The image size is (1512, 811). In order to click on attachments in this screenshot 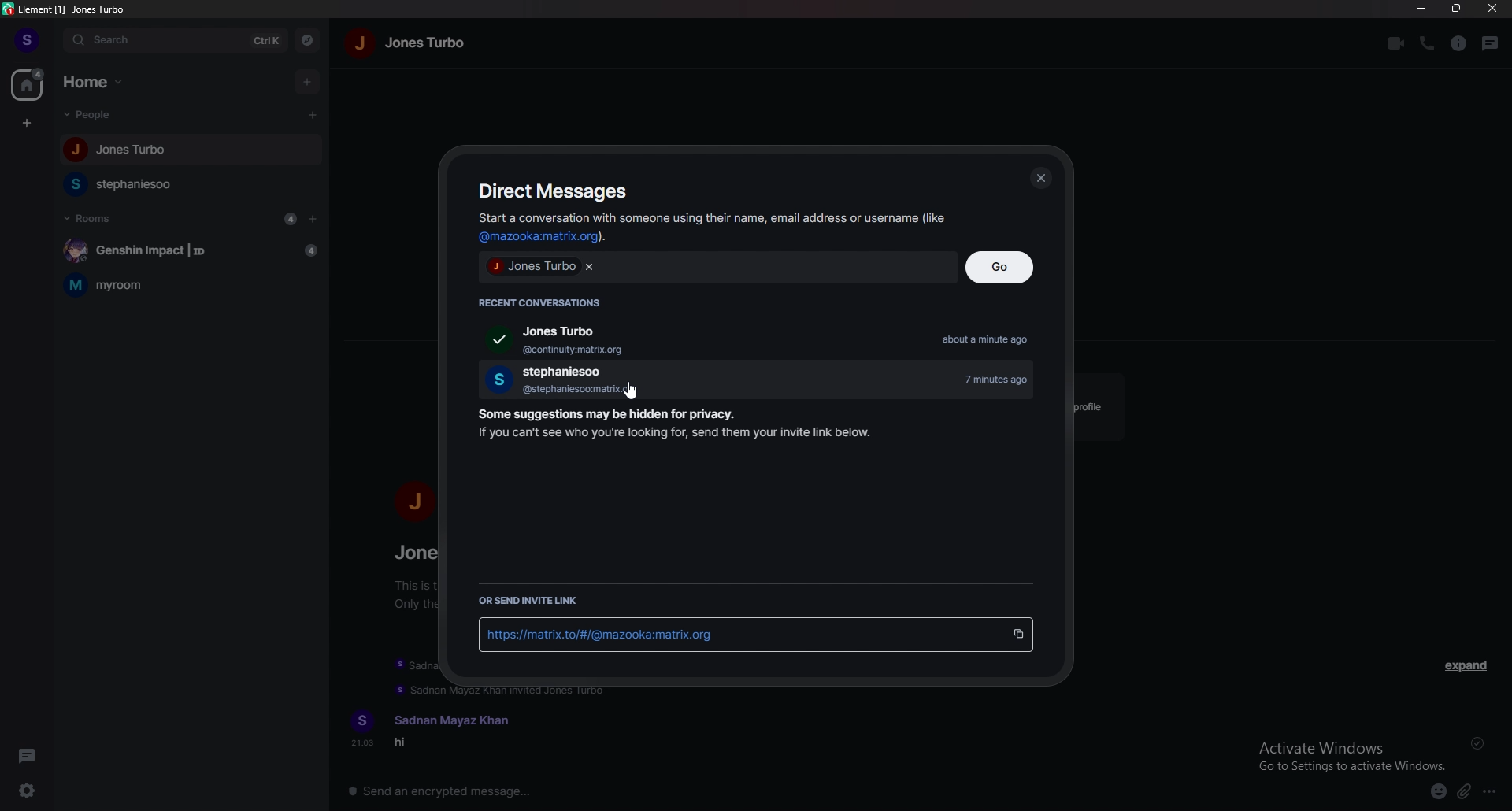, I will do `click(1463, 793)`.